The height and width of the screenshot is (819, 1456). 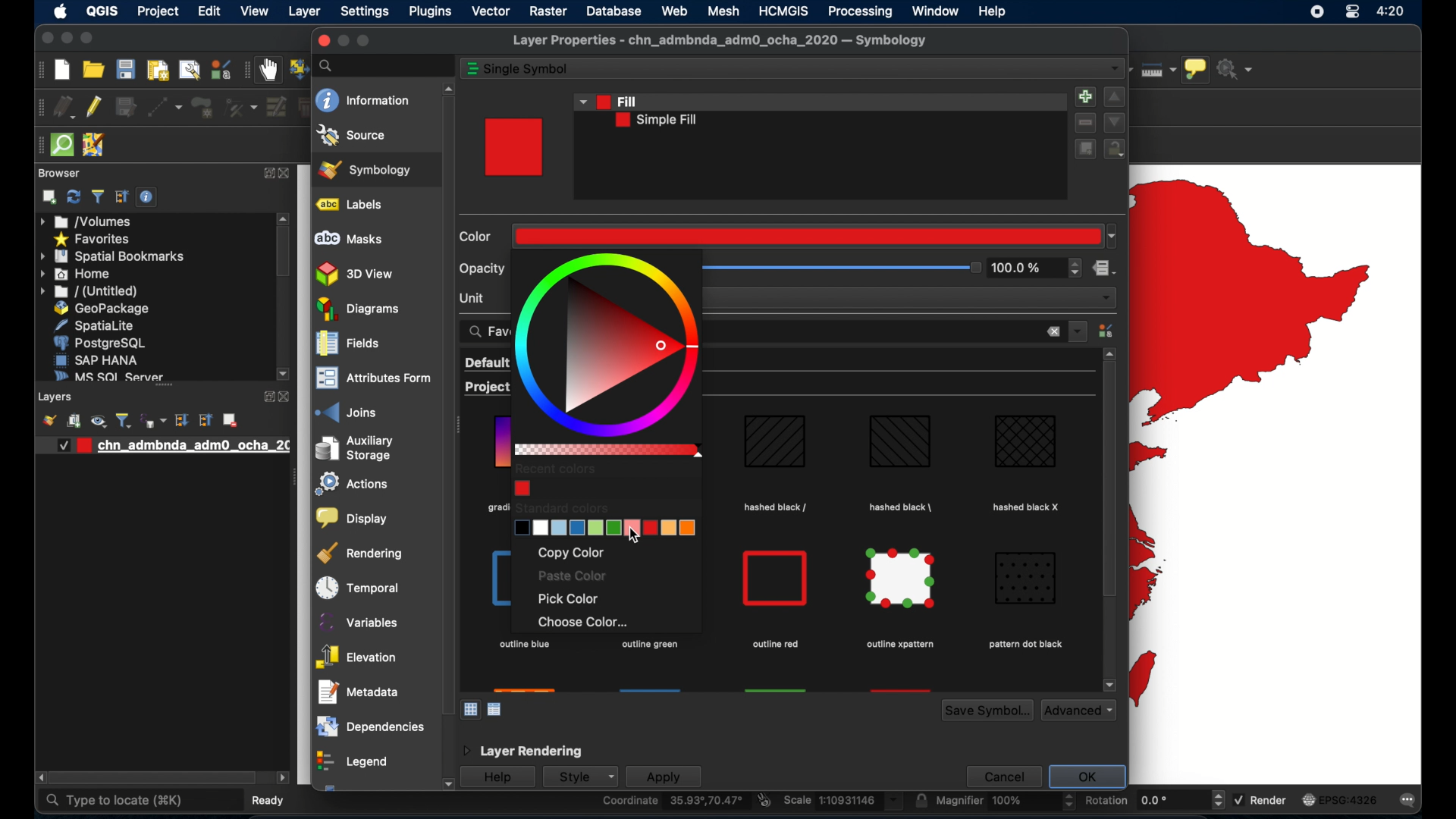 What do you see at coordinates (657, 121) in the screenshot?
I see `simple fill` at bounding box center [657, 121].